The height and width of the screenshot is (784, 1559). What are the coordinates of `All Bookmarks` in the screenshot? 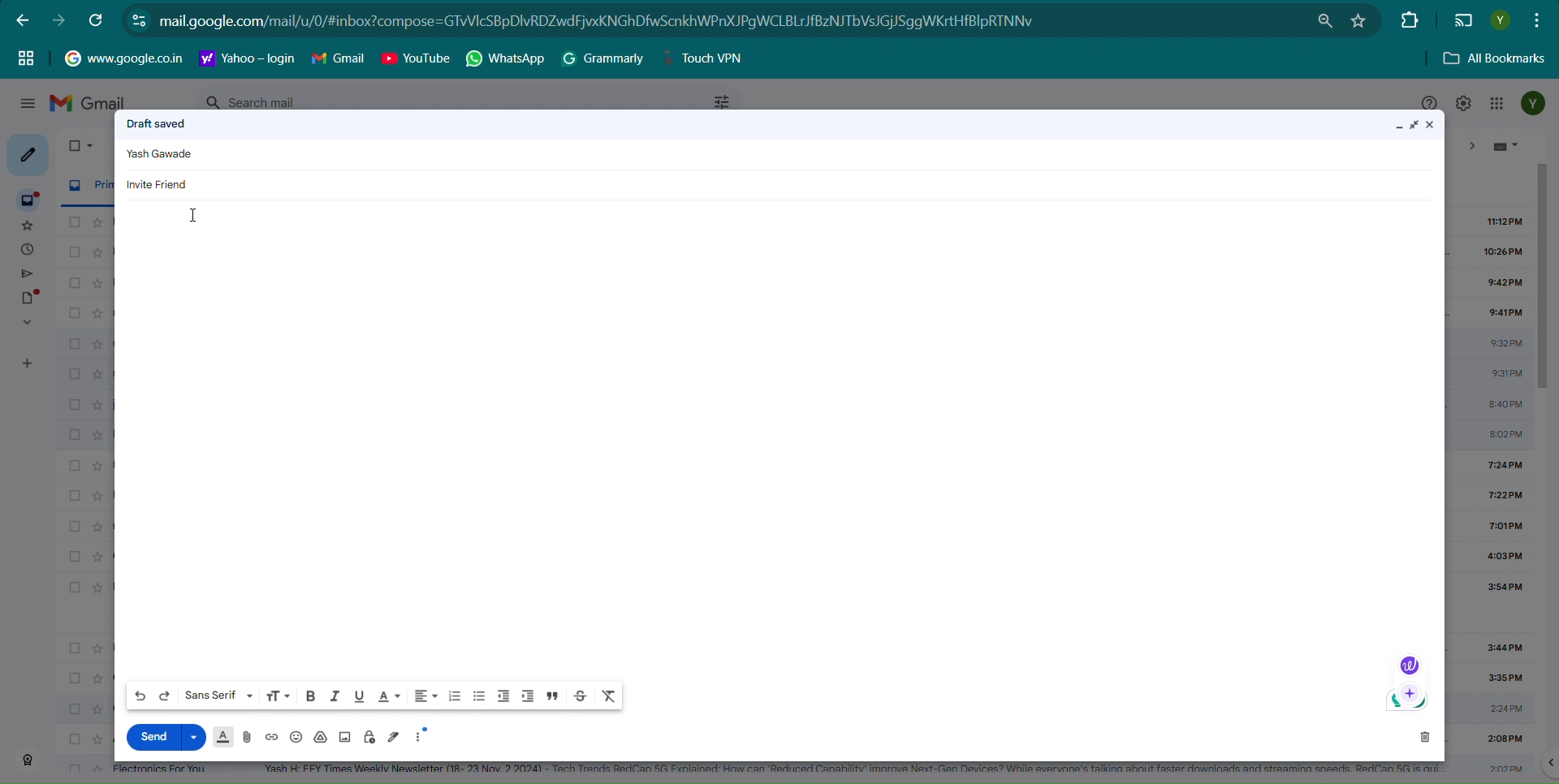 It's located at (1496, 59).